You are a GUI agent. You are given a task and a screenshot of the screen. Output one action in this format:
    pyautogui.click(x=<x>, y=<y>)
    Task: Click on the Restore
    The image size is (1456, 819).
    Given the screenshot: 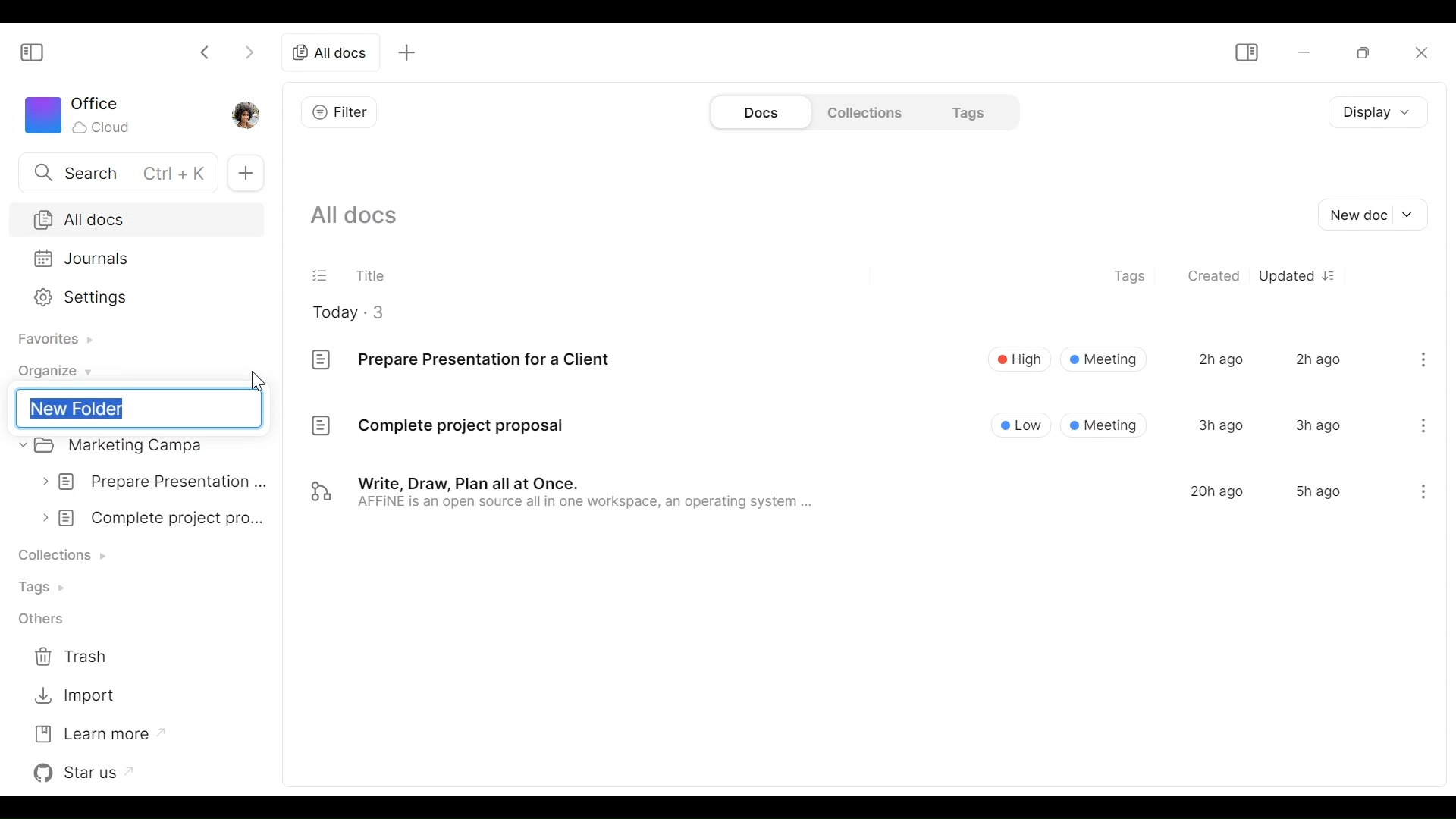 What is the action you would take?
    pyautogui.click(x=1357, y=52)
    